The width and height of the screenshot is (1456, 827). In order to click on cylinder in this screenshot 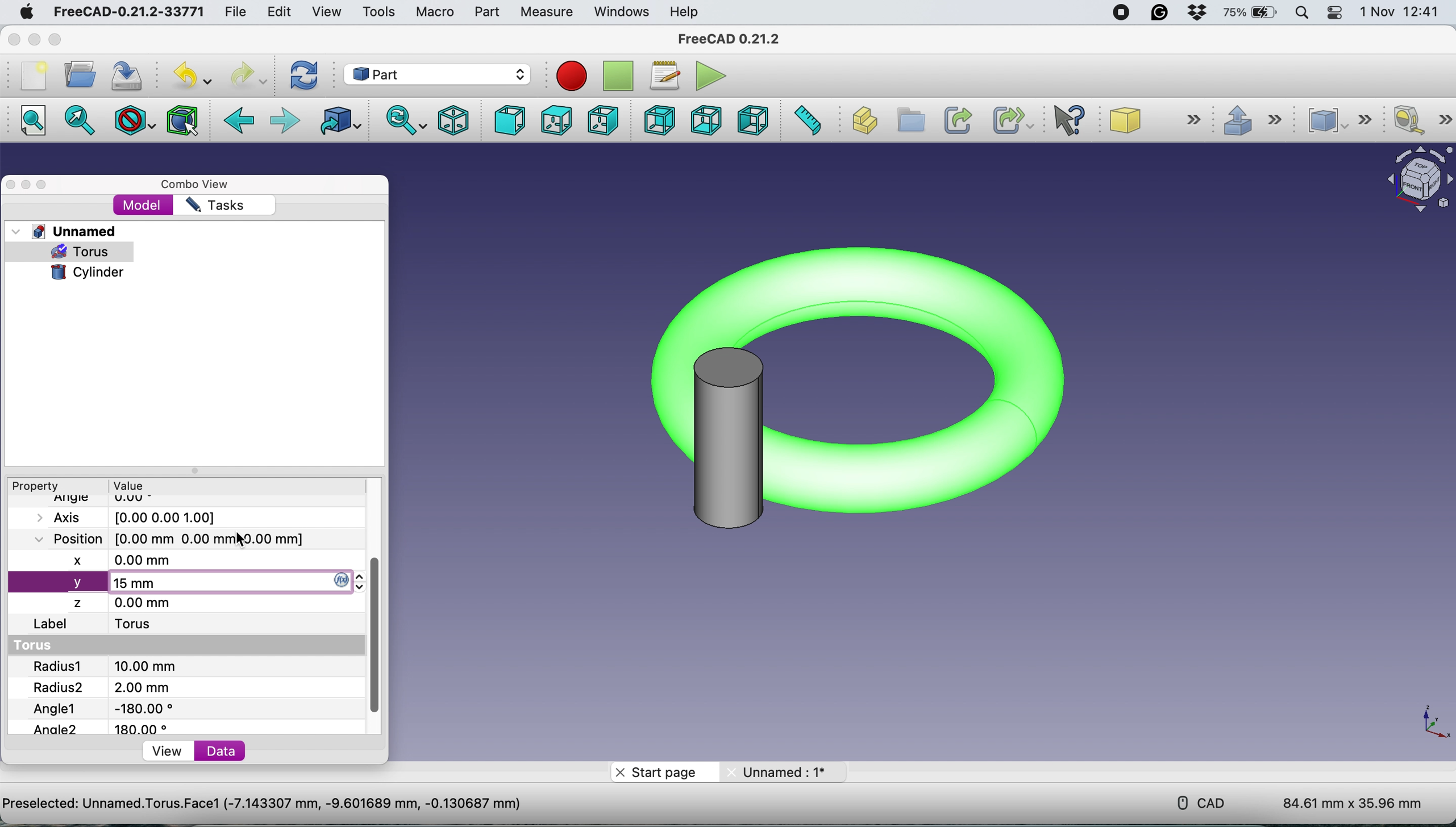, I will do `click(88, 271)`.